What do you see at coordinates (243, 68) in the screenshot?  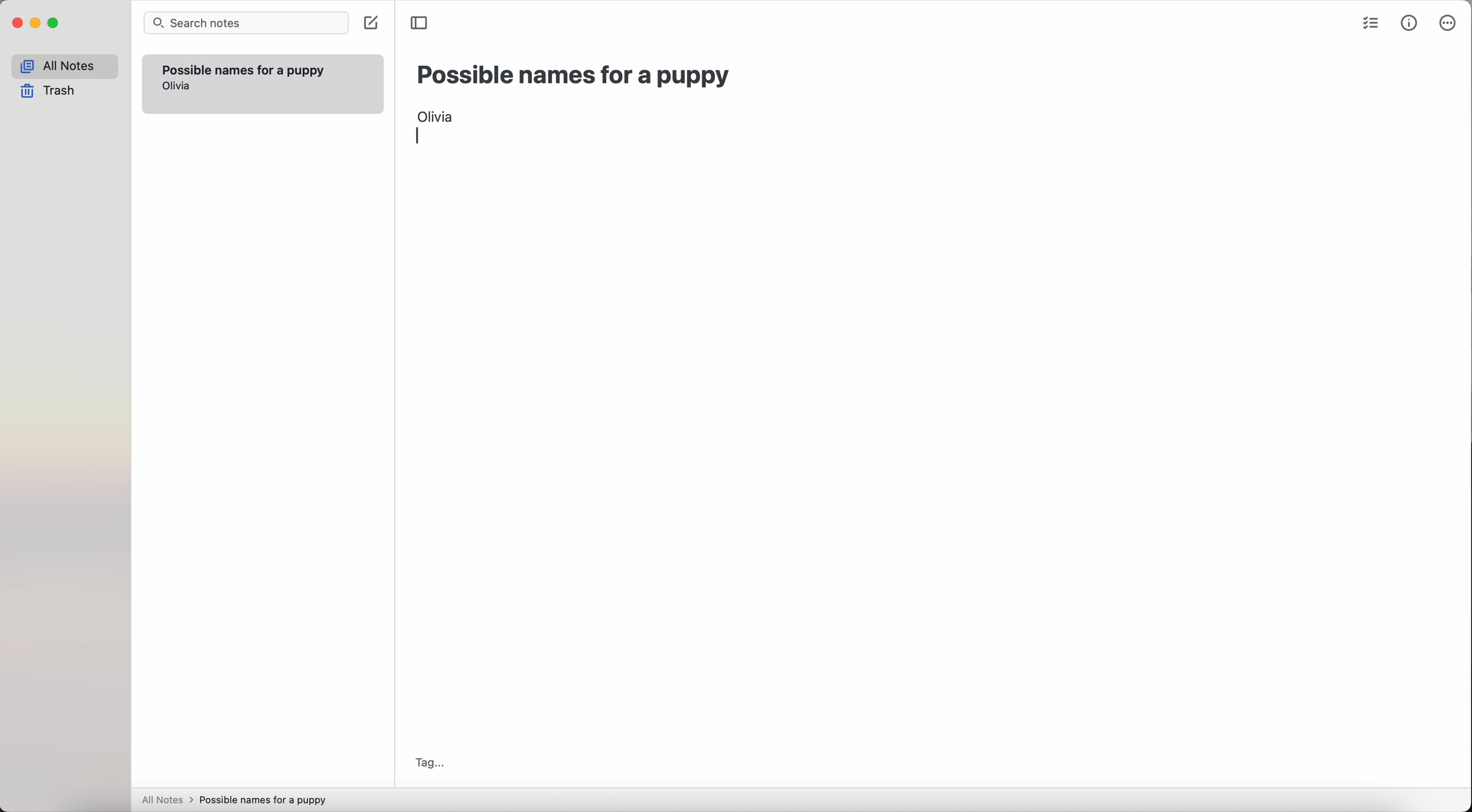 I see `possible names for a puppy note` at bounding box center [243, 68].